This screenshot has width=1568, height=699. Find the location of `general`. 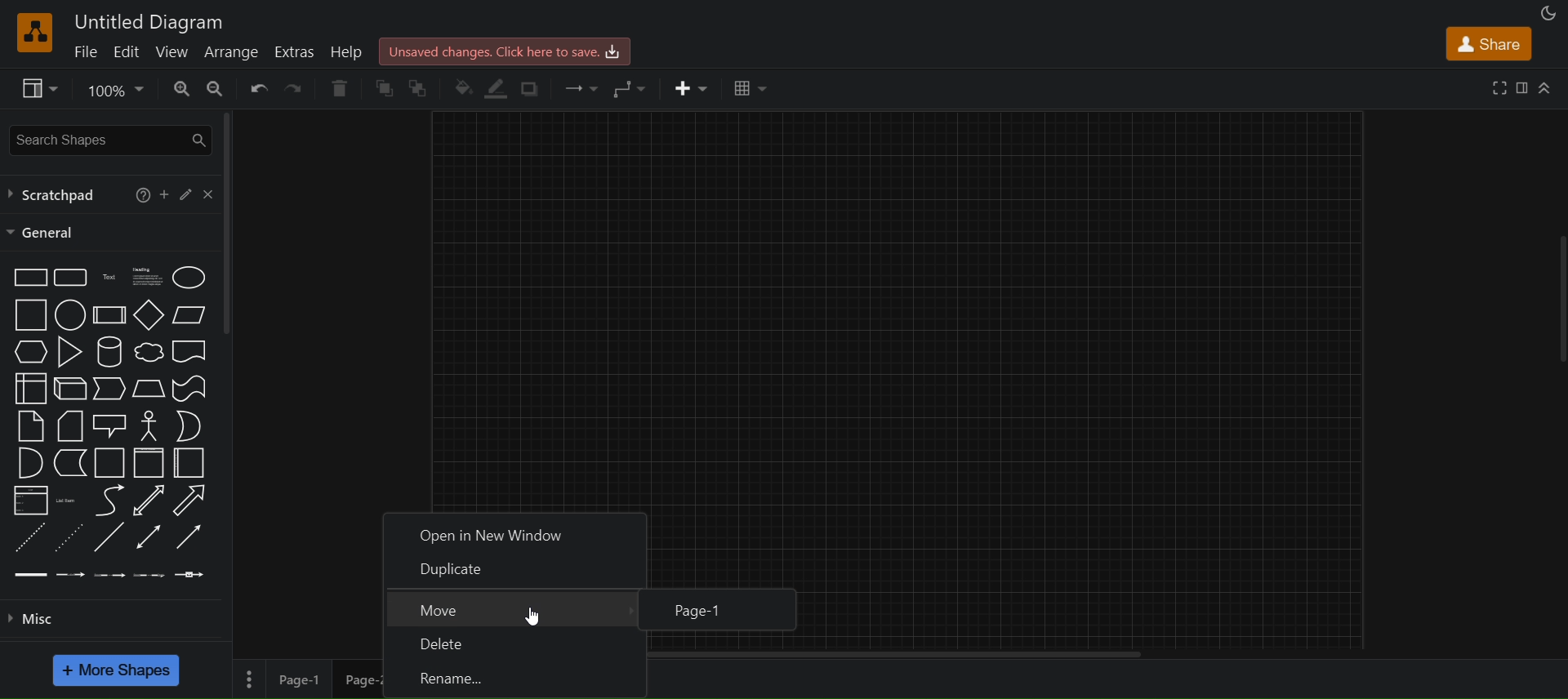

general is located at coordinates (42, 232).